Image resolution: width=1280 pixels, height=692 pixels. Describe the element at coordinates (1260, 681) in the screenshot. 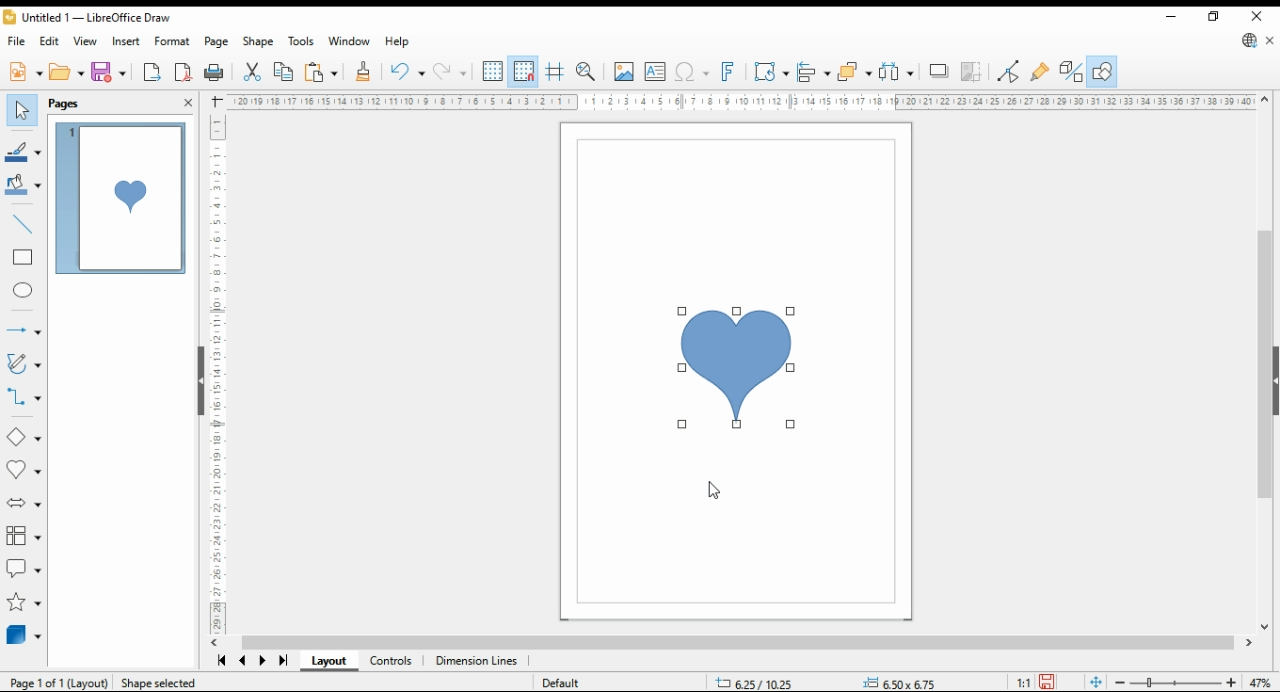

I see `zoom factor` at that location.